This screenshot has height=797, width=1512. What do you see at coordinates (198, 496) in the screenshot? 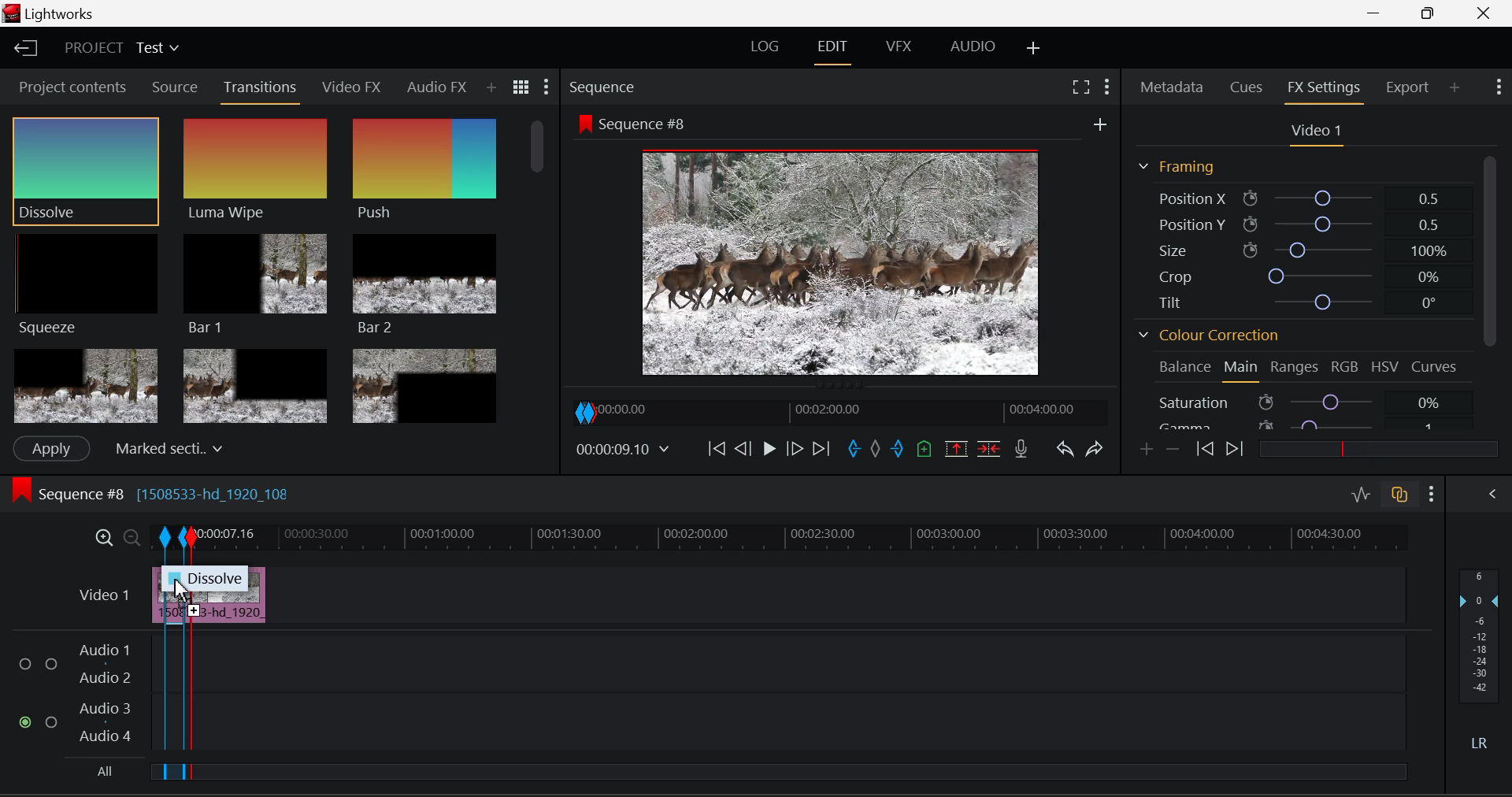
I see `Sequence #8 Editing Section` at bounding box center [198, 496].